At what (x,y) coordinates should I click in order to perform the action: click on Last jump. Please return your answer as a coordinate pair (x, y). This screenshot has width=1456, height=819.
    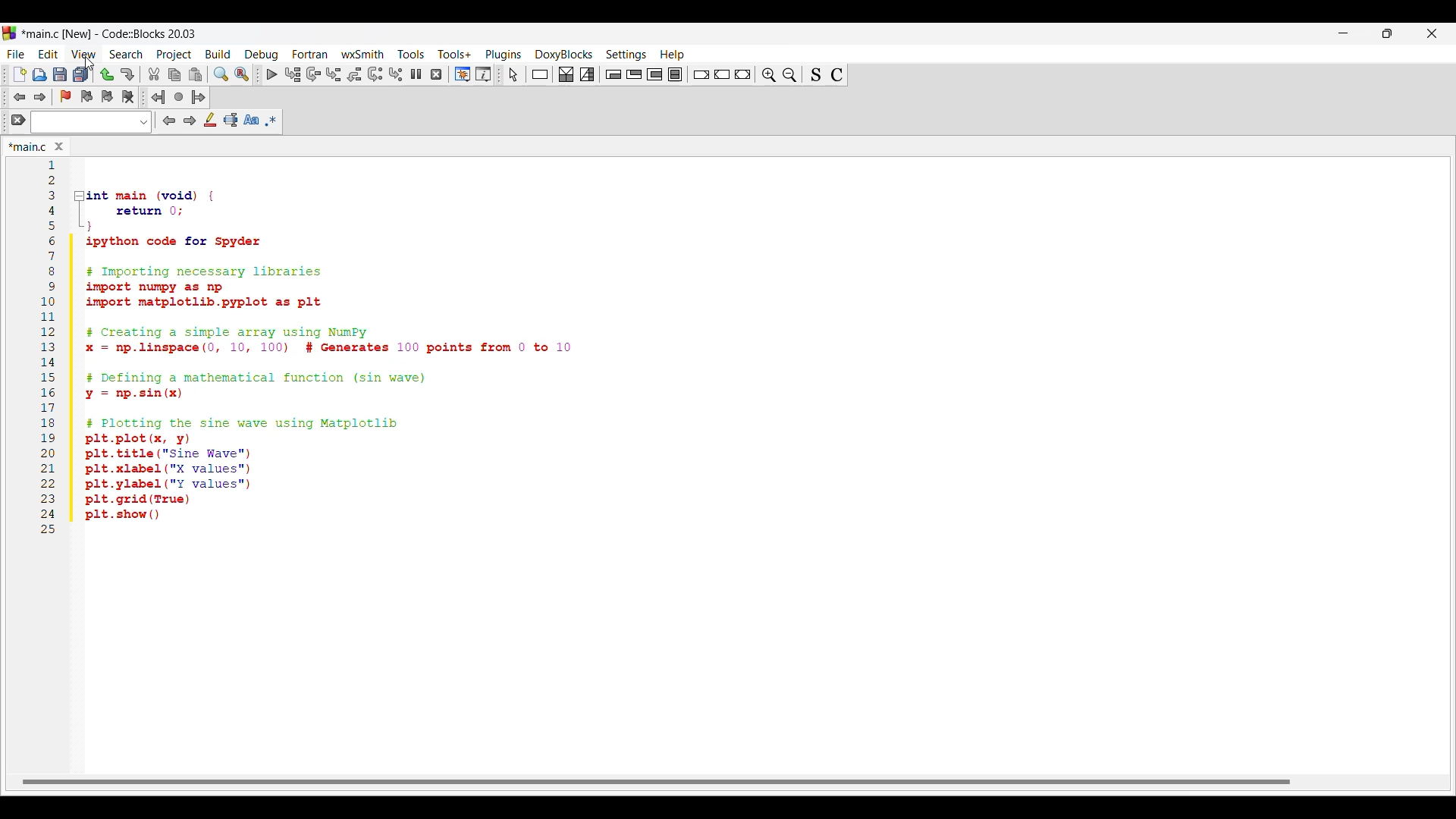
    Looking at the image, I should click on (179, 97).